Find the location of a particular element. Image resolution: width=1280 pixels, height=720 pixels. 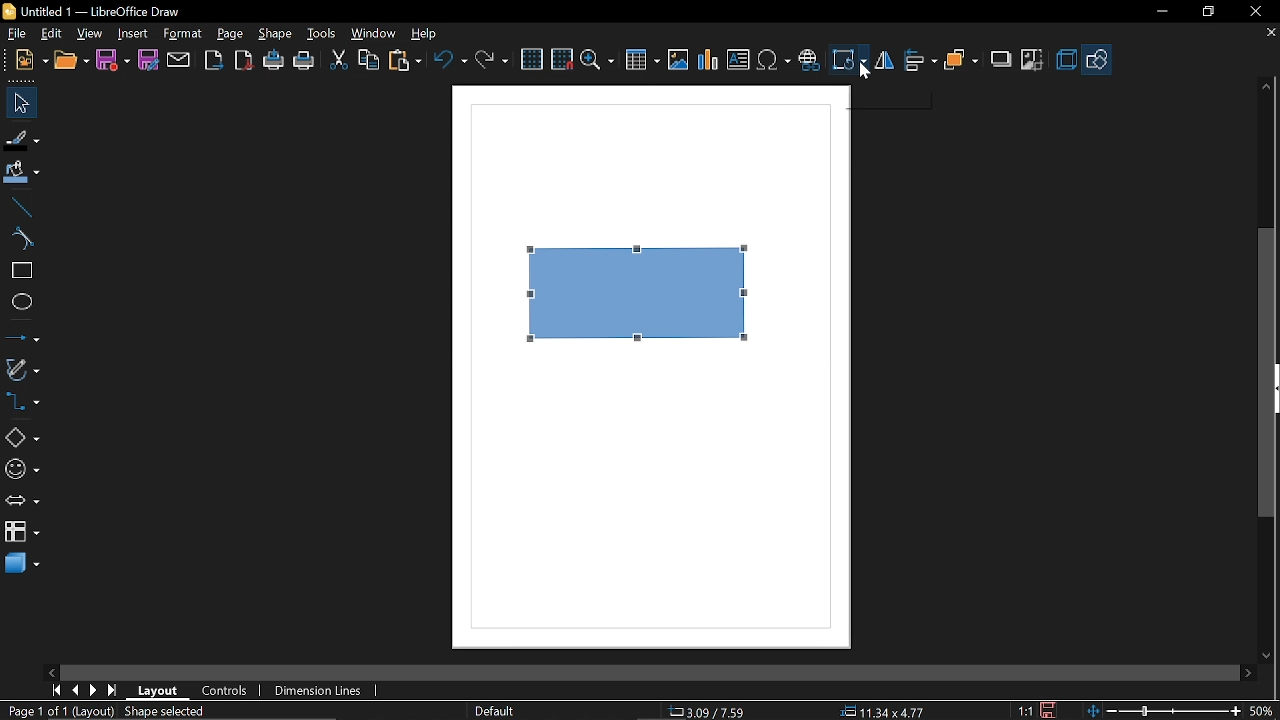

New is located at coordinates (25, 61).